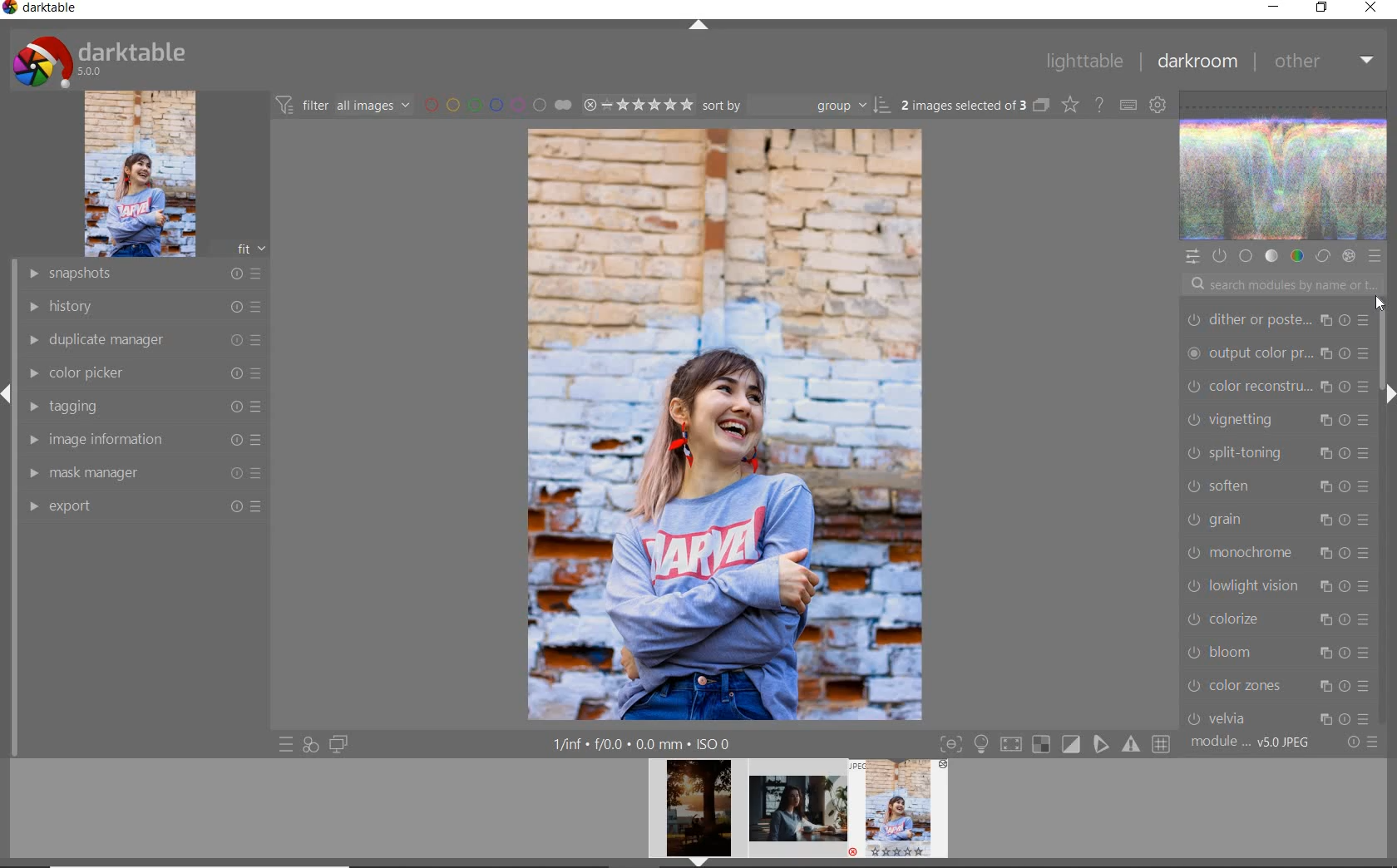 Image resolution: width=1397 pixels, height=868 pixels. I want to click on export, so click(143, 506).